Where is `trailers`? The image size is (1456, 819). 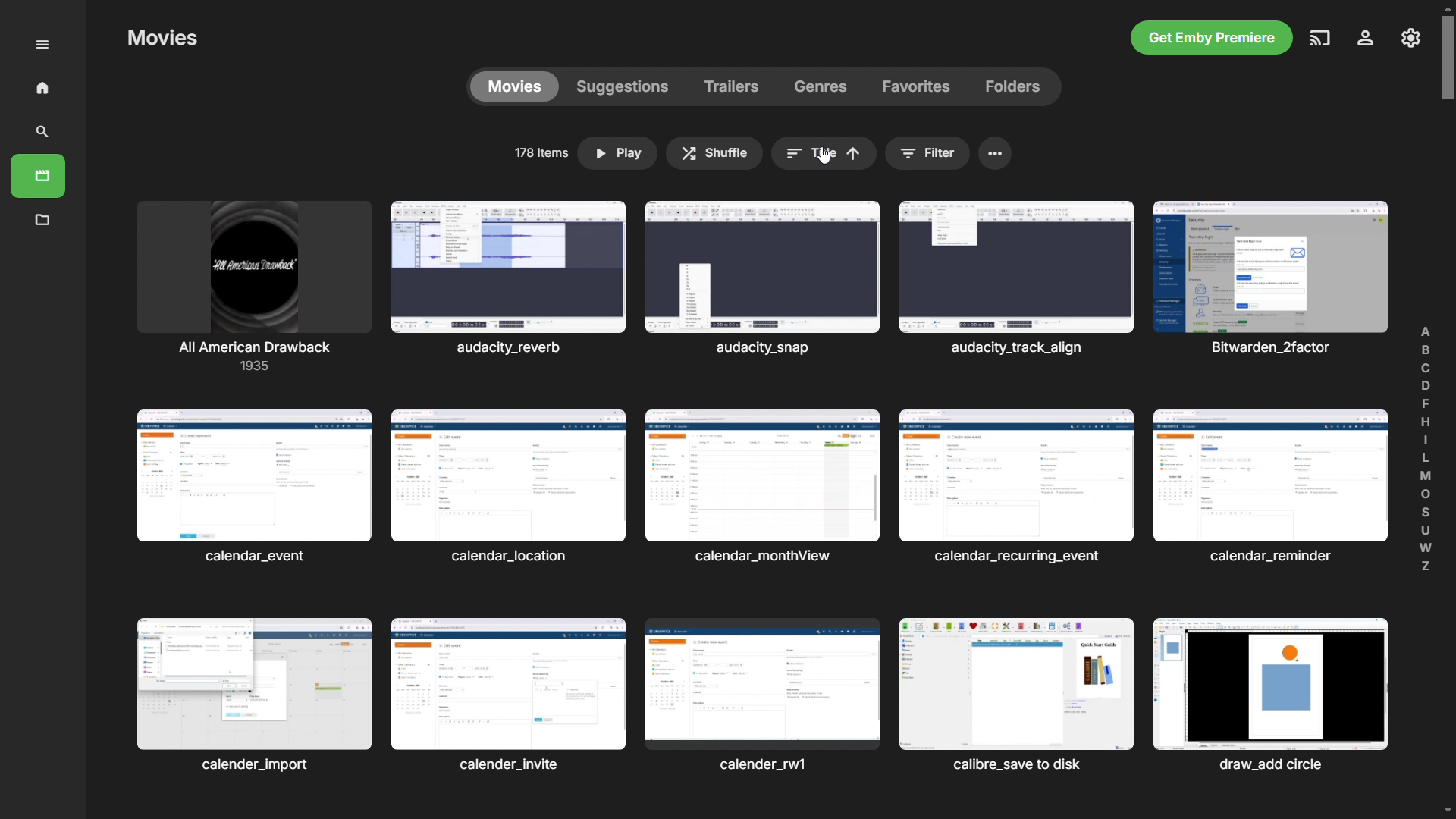 trailers is located at coordinates (736, 87).